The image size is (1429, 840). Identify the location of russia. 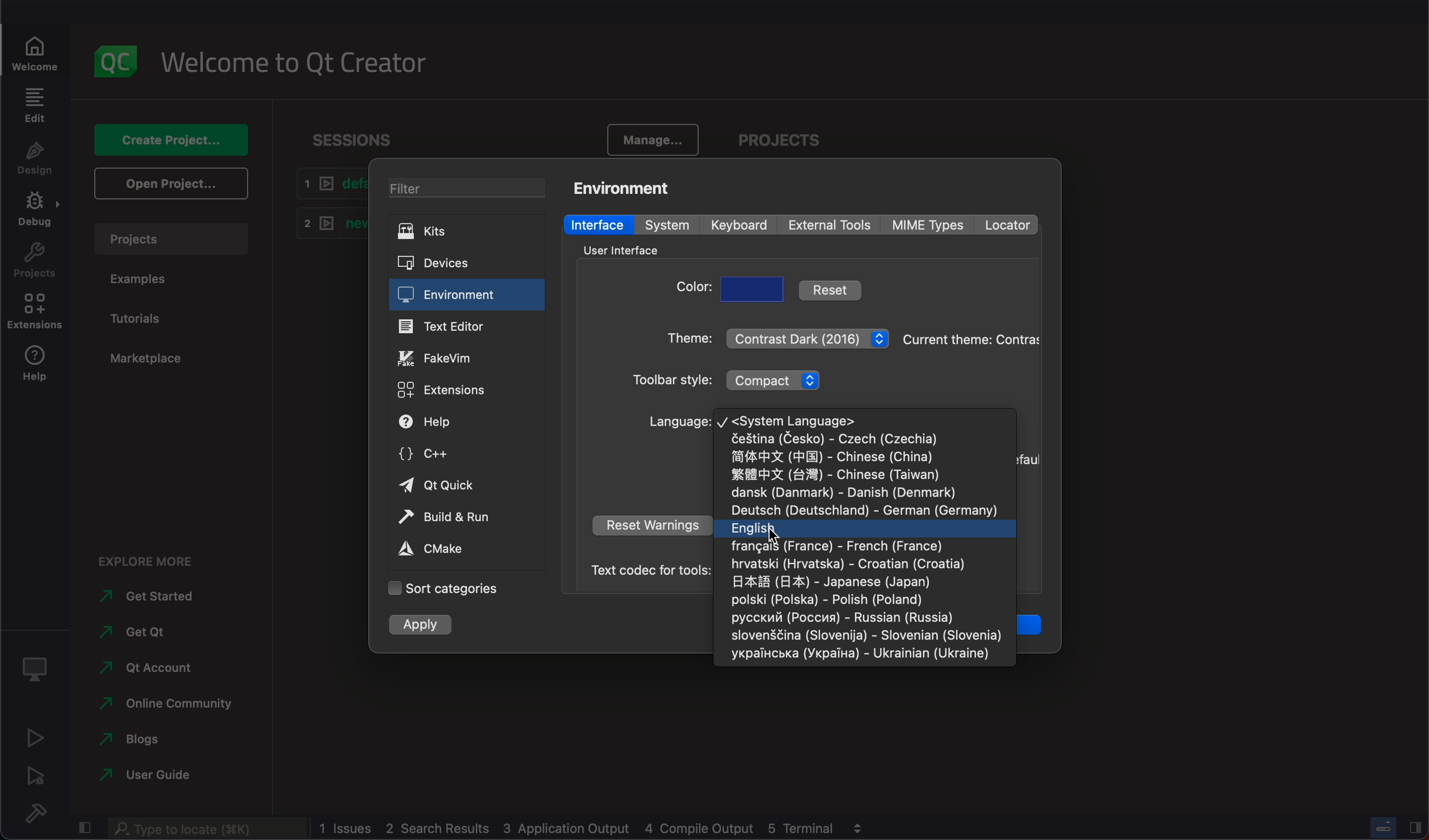
(840, 618).